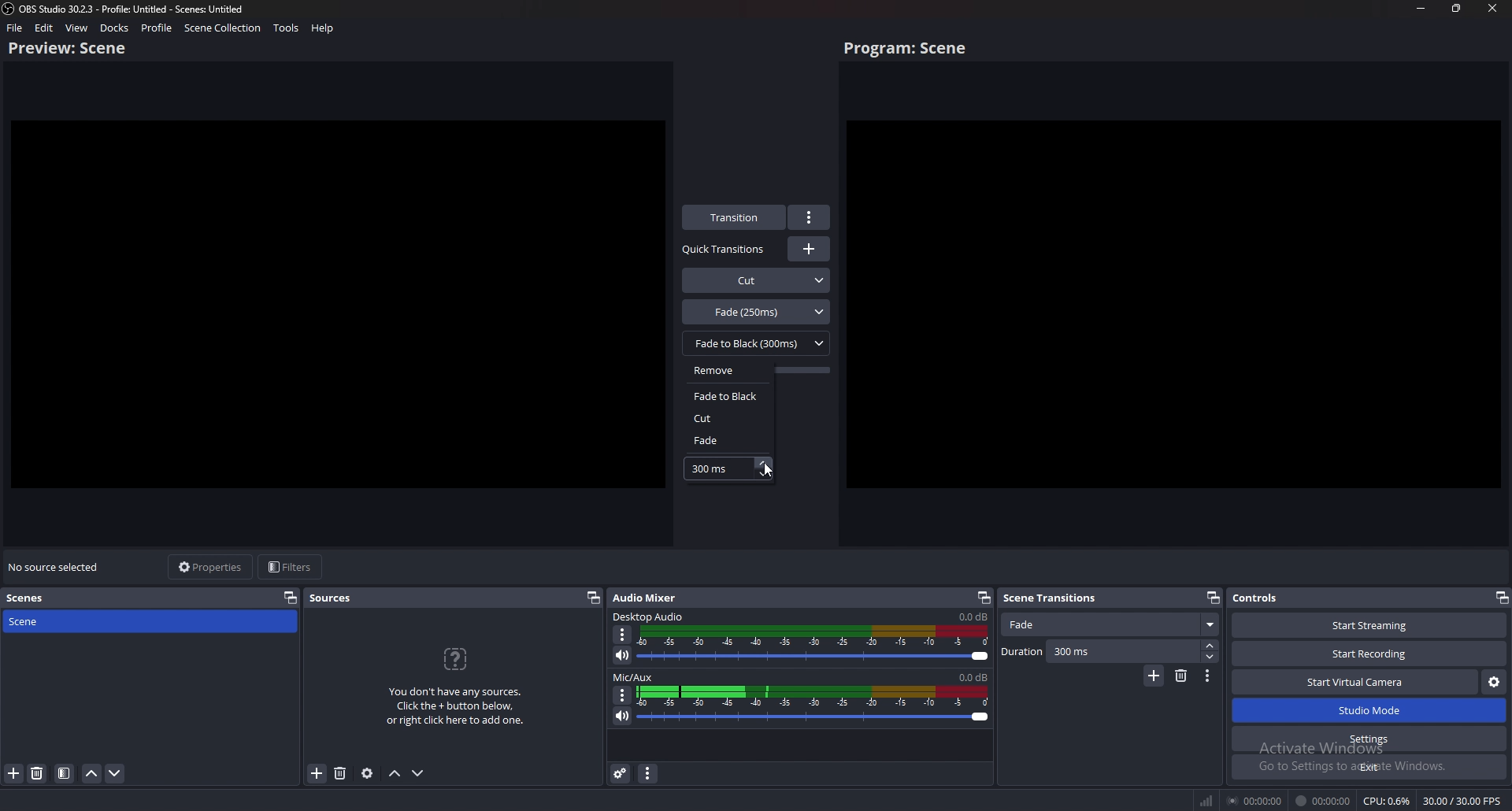 Image resolution: width=1512 pixels, height=811 pixels. What do you see at coordinates (1462, 800) in the screenshot?
I see `30.00 / 30.00 FPS` at bounding box center [1462, 800].